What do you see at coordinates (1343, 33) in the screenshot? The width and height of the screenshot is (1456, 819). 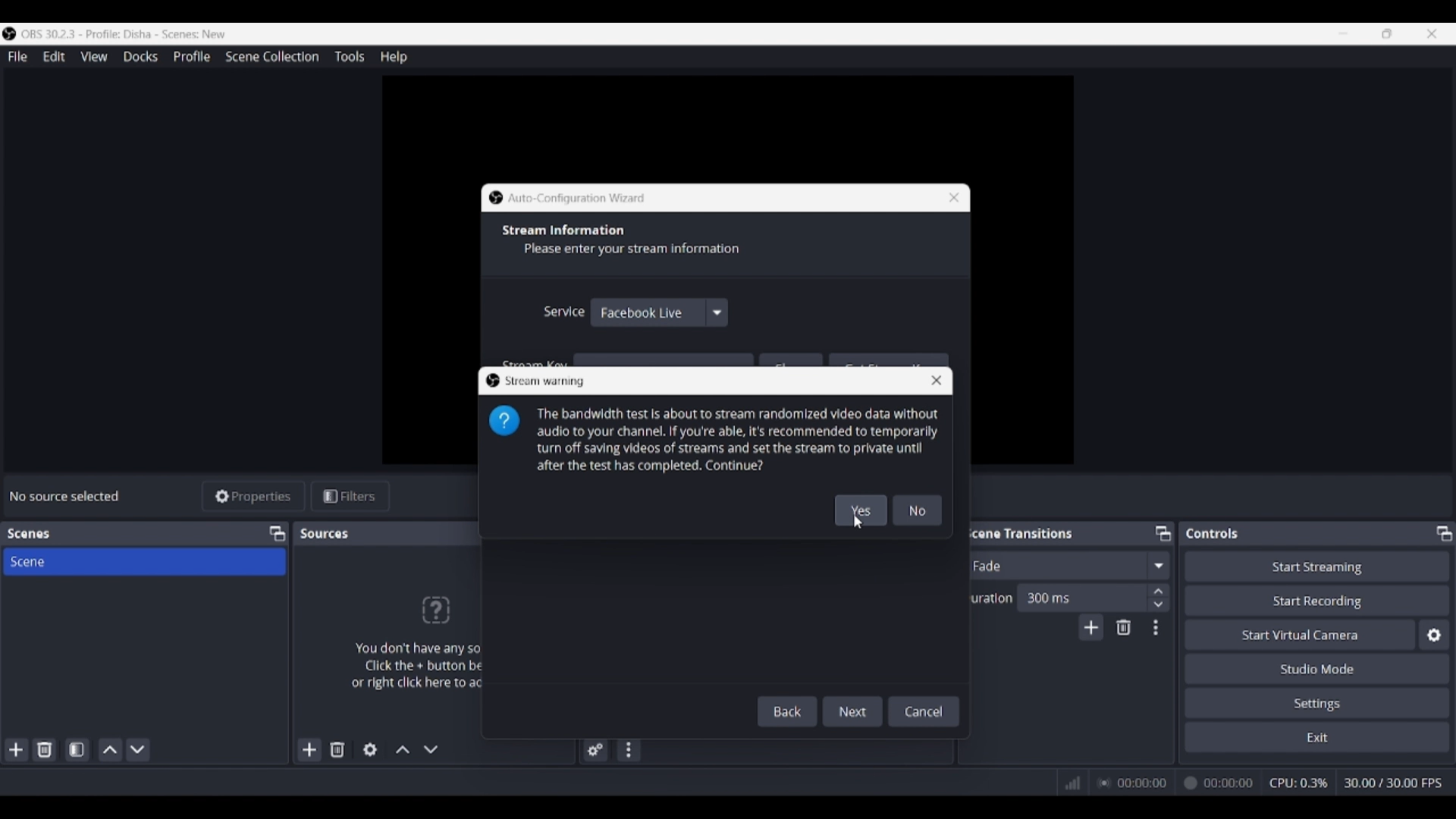 I see `Minimize` at bounding box center [1343, 33].